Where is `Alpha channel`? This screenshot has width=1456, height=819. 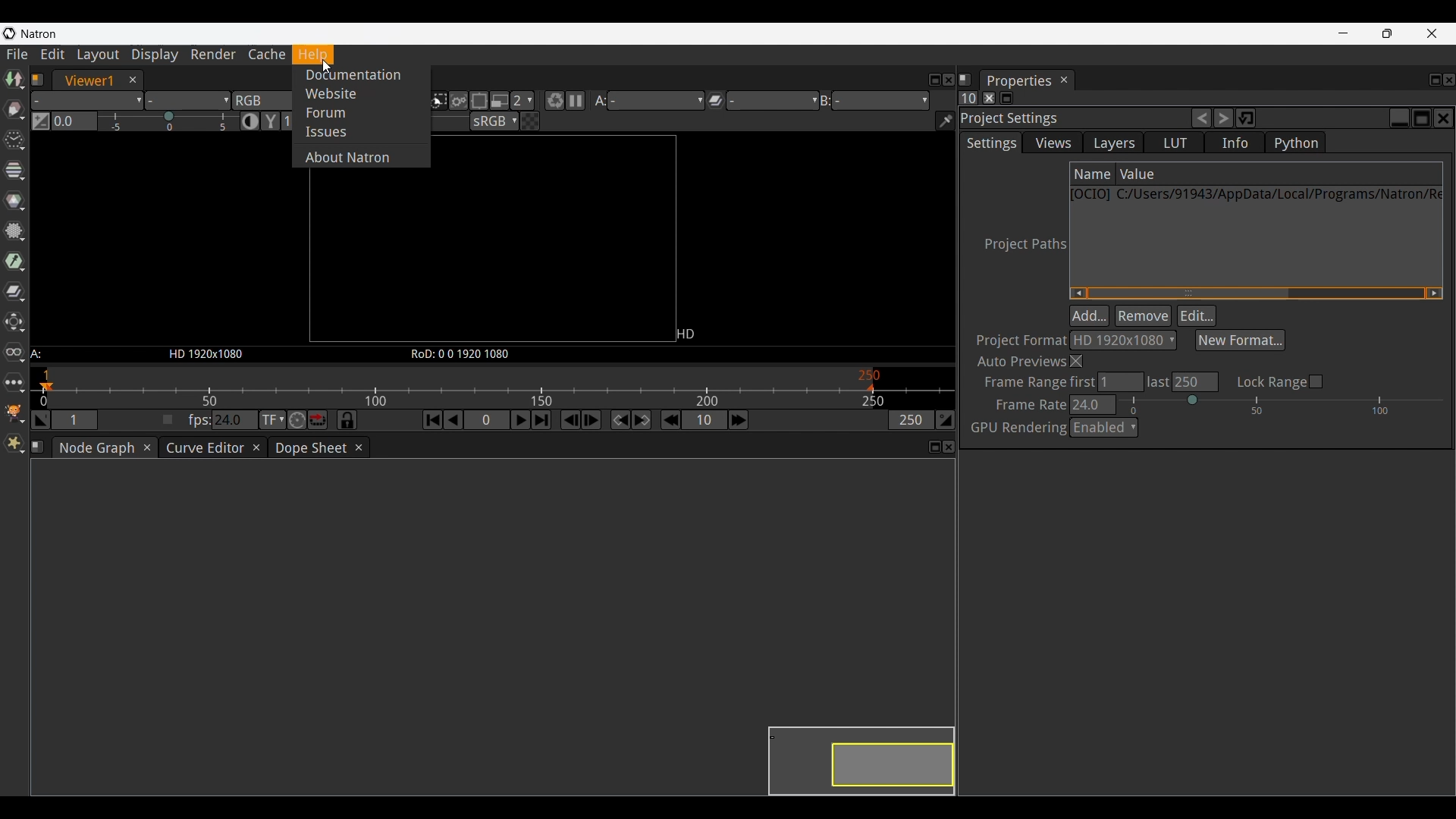
Alpha channel is located at coordinates (187, 101).